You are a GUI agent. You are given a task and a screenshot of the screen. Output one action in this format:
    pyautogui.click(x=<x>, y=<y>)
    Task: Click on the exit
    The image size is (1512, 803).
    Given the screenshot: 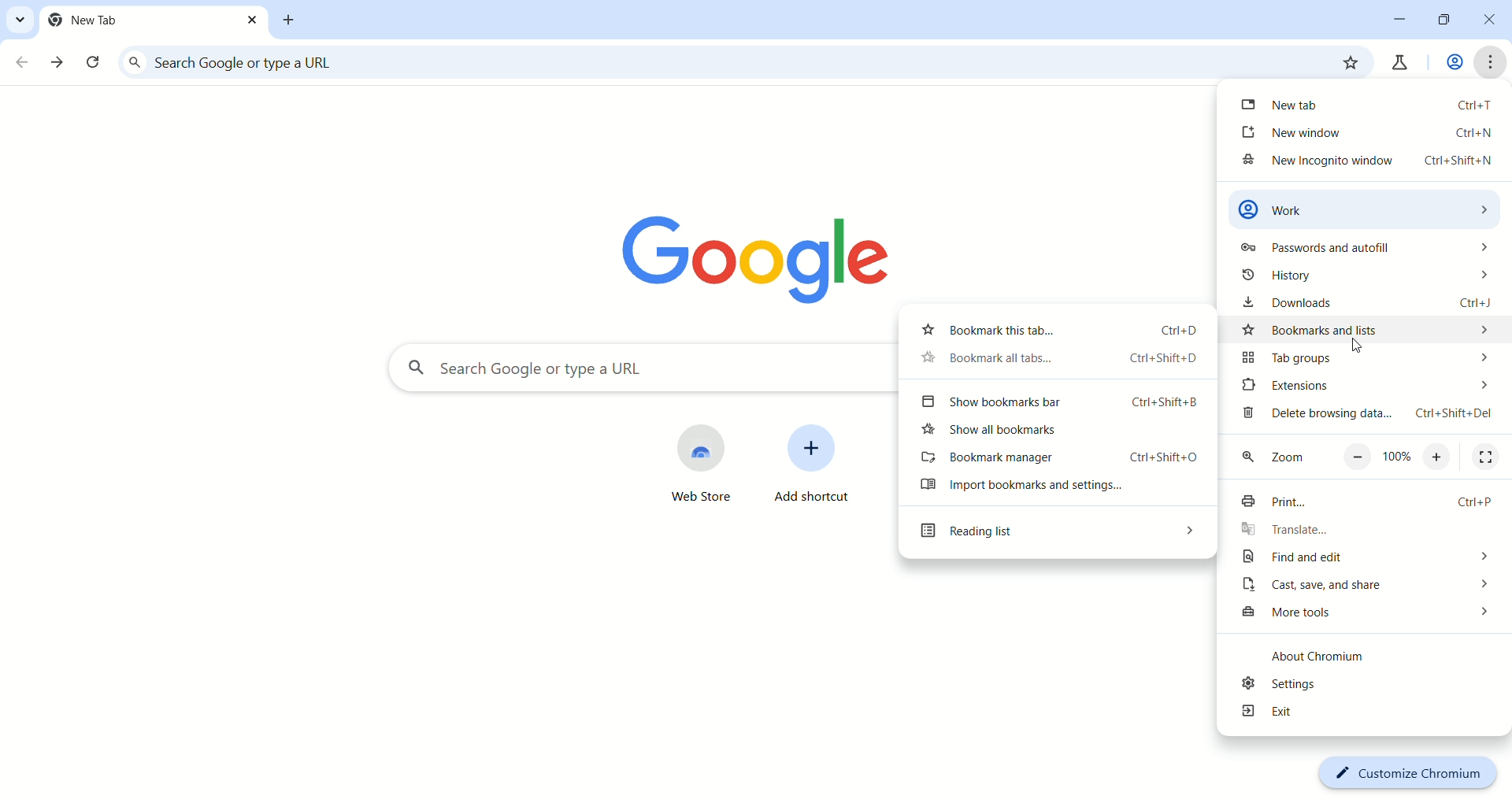 What is the action you would take?
    pyautogui.click(x=1364, y=714)
    